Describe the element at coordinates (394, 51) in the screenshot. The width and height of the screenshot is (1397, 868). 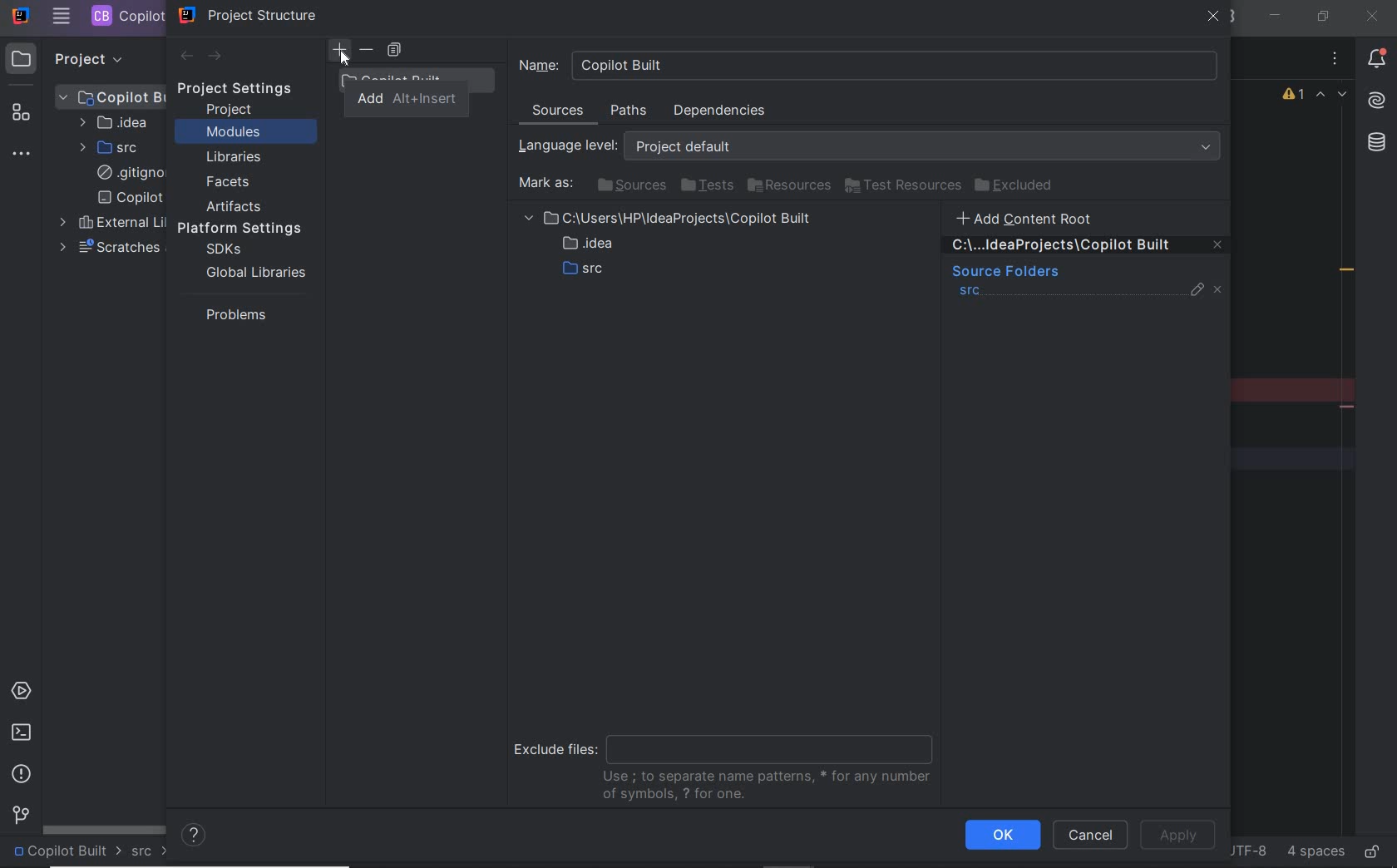
I see `copy` at that location.